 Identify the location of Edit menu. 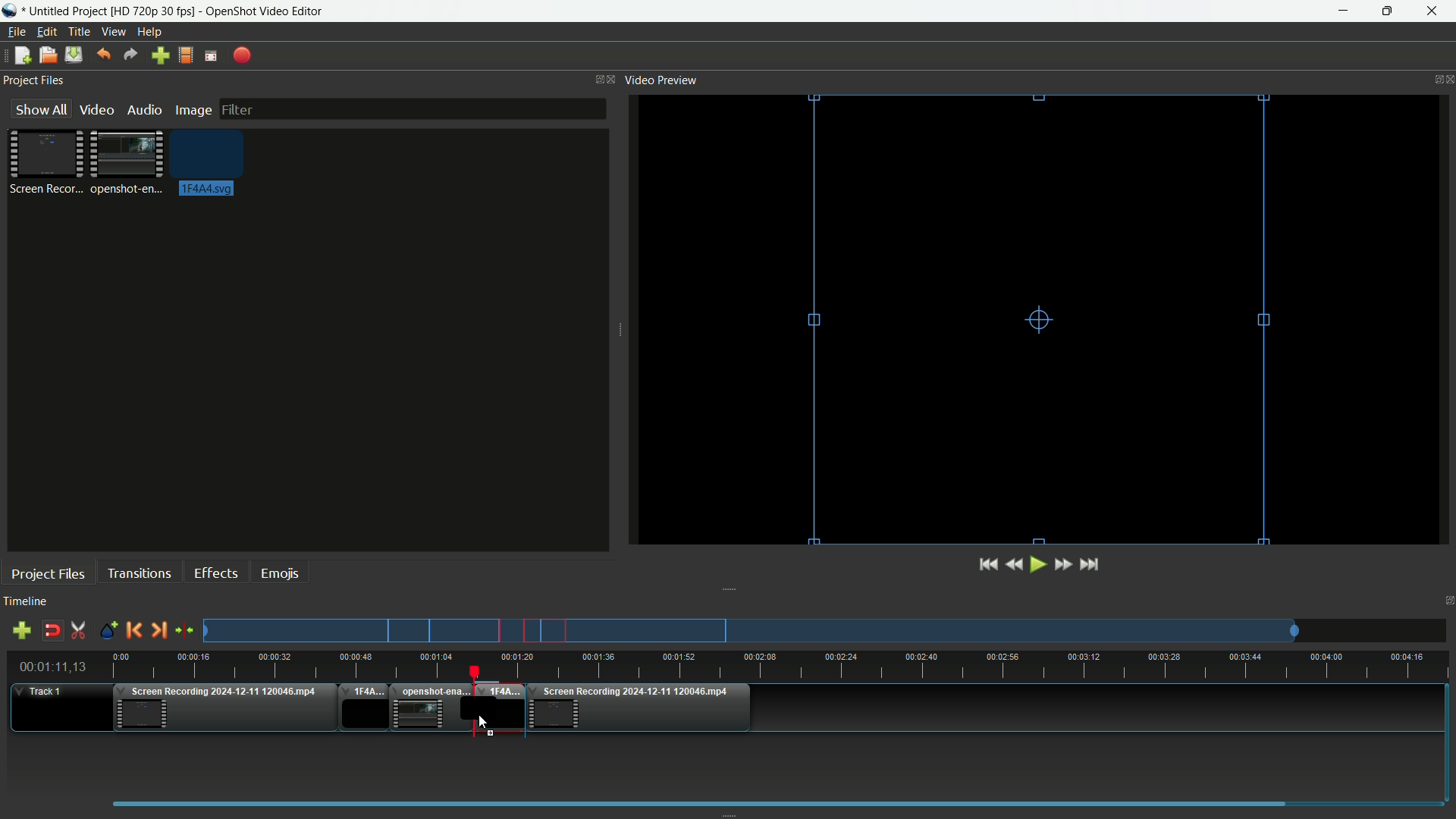
(44, 32).